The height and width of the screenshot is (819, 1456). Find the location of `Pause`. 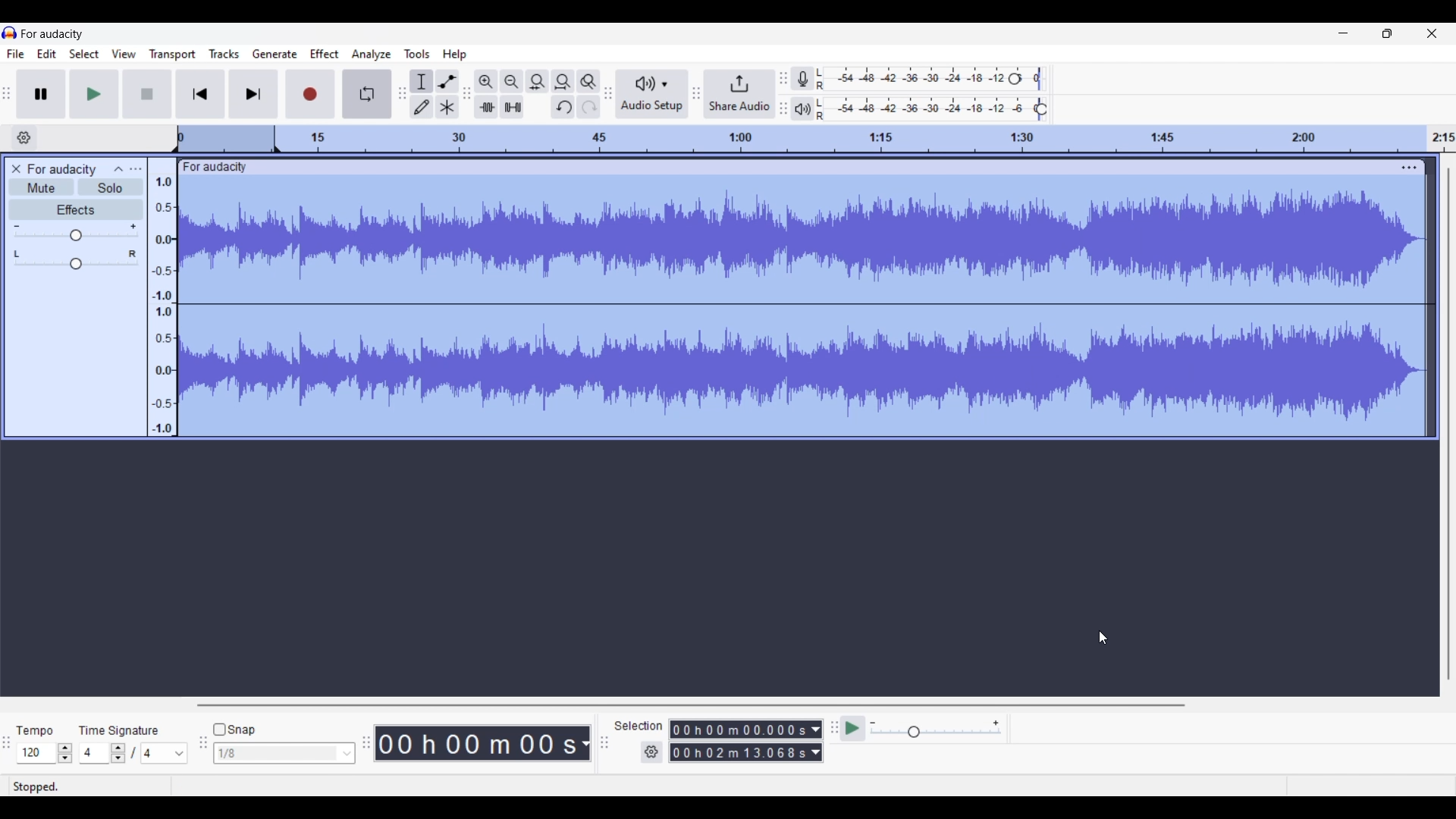

Pause is located at coordinates (41, 93).